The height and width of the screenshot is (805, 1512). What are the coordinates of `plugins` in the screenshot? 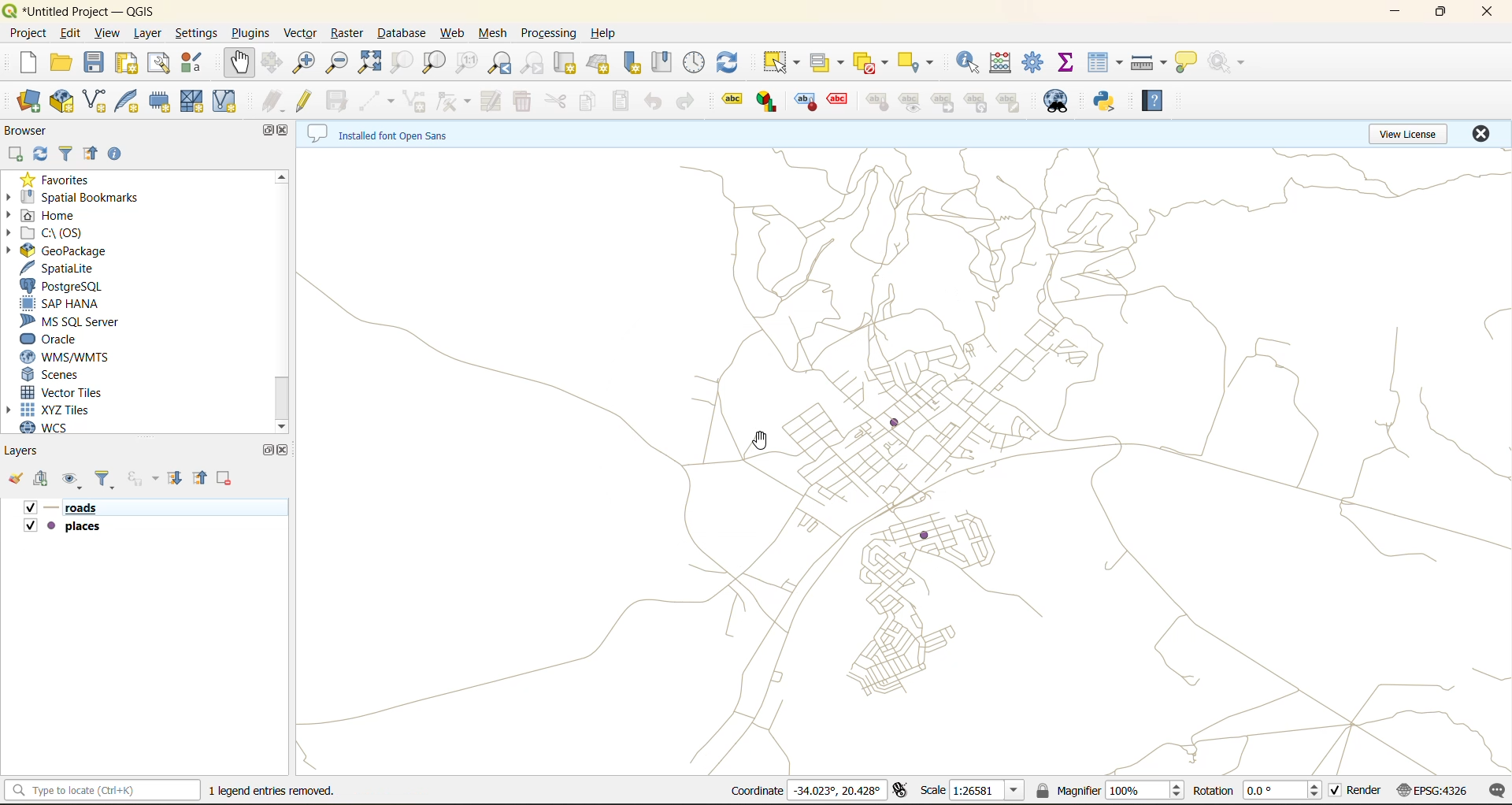 It's located at (254, 33).